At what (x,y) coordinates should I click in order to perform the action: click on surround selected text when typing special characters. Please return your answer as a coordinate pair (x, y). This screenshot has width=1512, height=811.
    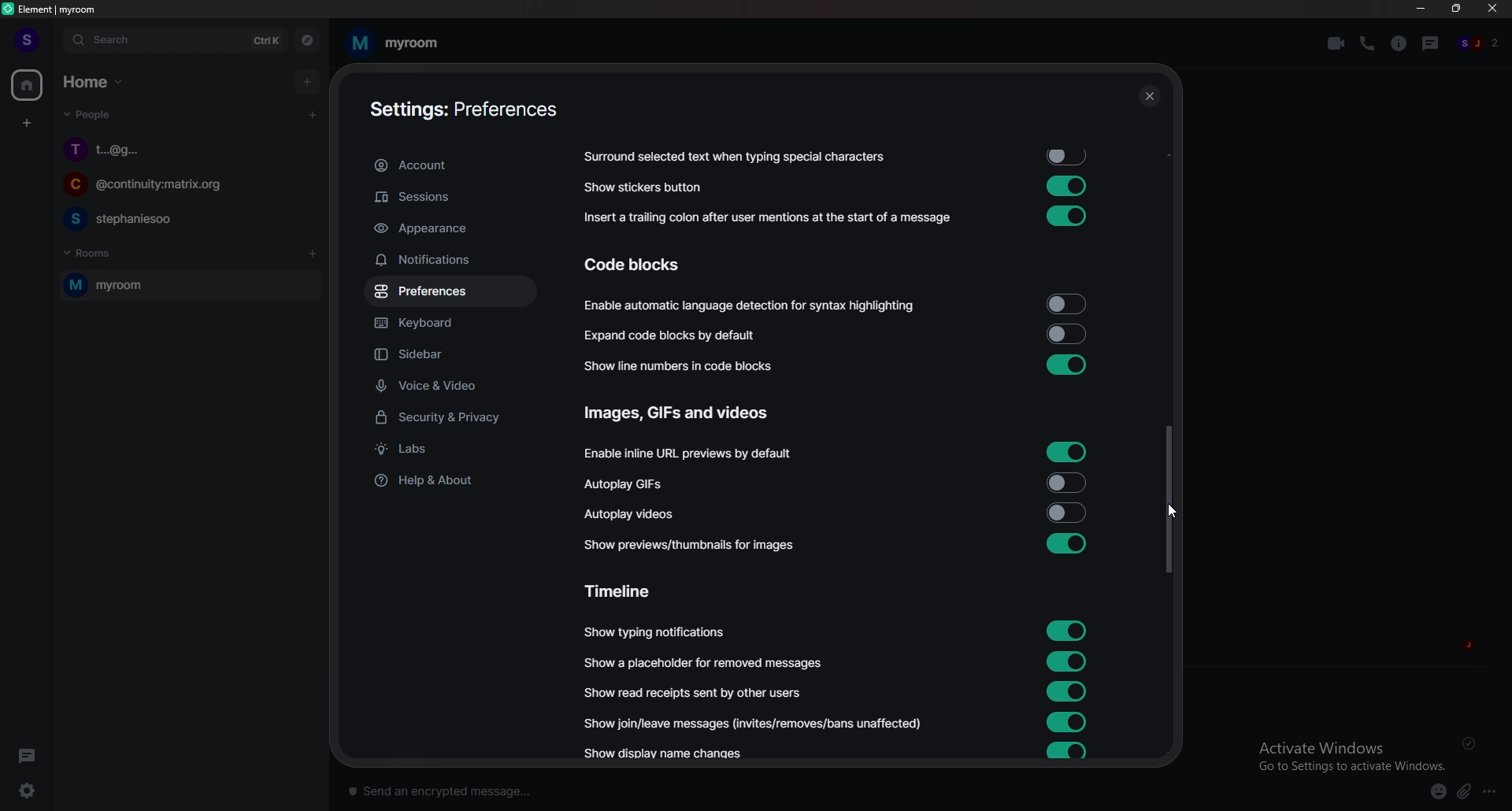
    Looking at the image, I should click on (732, 157).